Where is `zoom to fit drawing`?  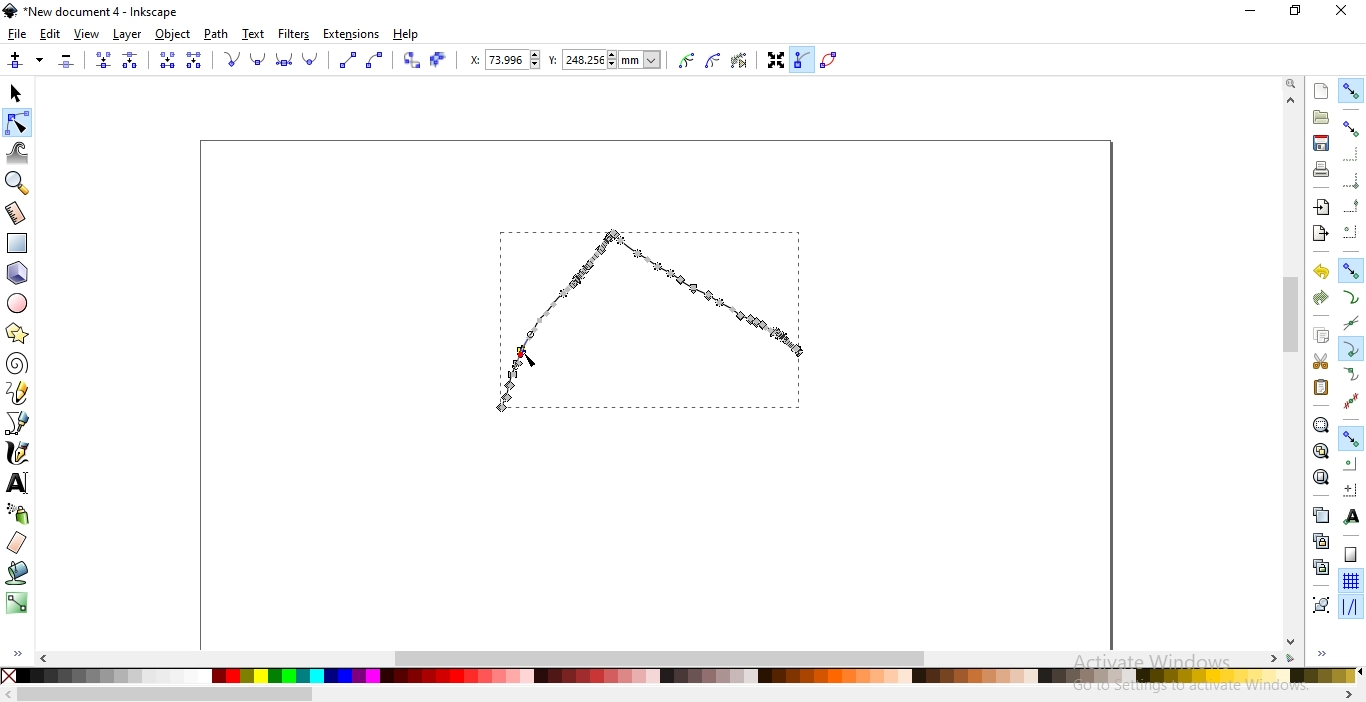 zoom to fit drawing is located at coordinates (1320, 449).